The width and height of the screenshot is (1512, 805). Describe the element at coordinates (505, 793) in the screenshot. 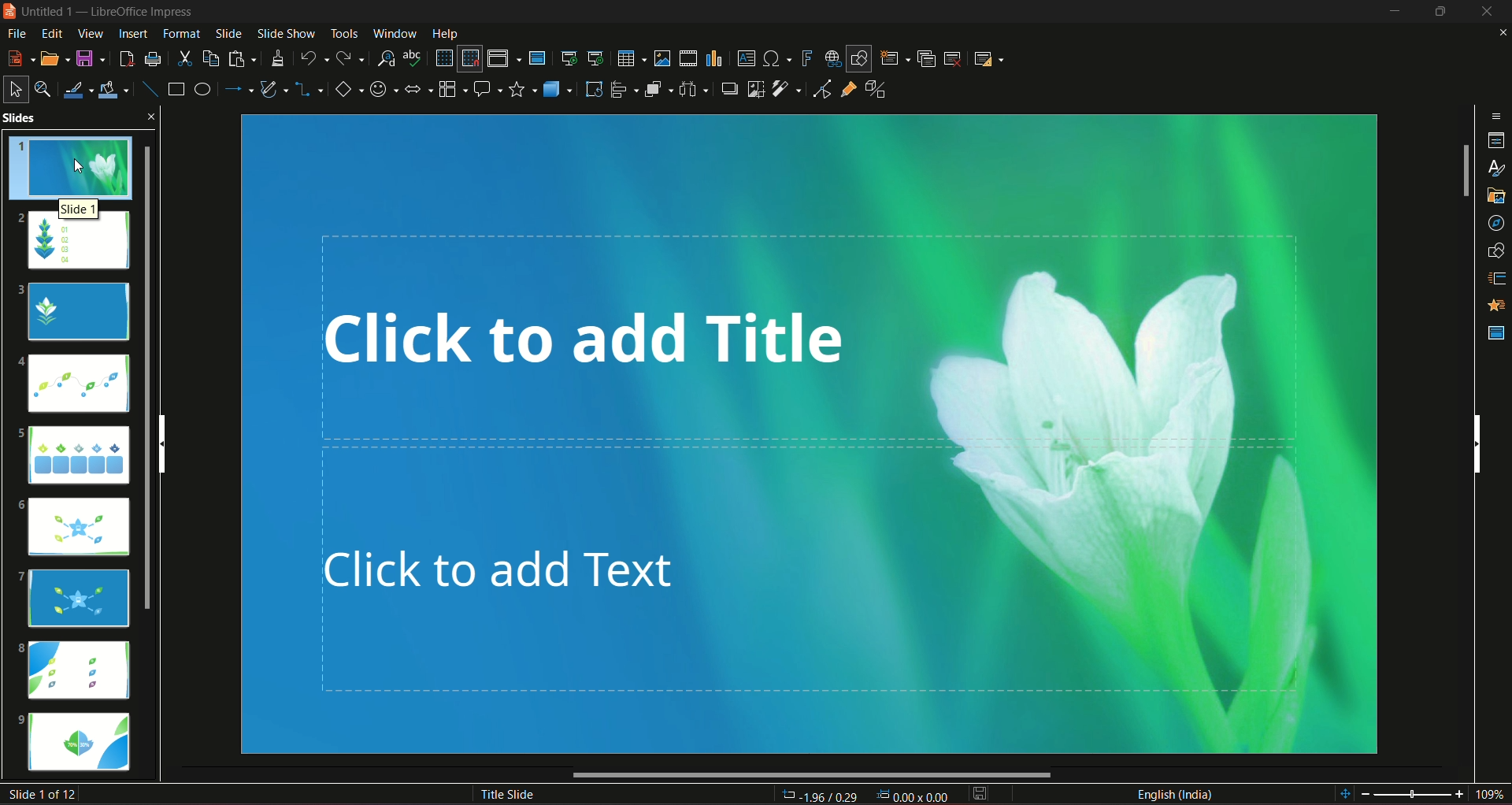

I see `title slide` at that location.